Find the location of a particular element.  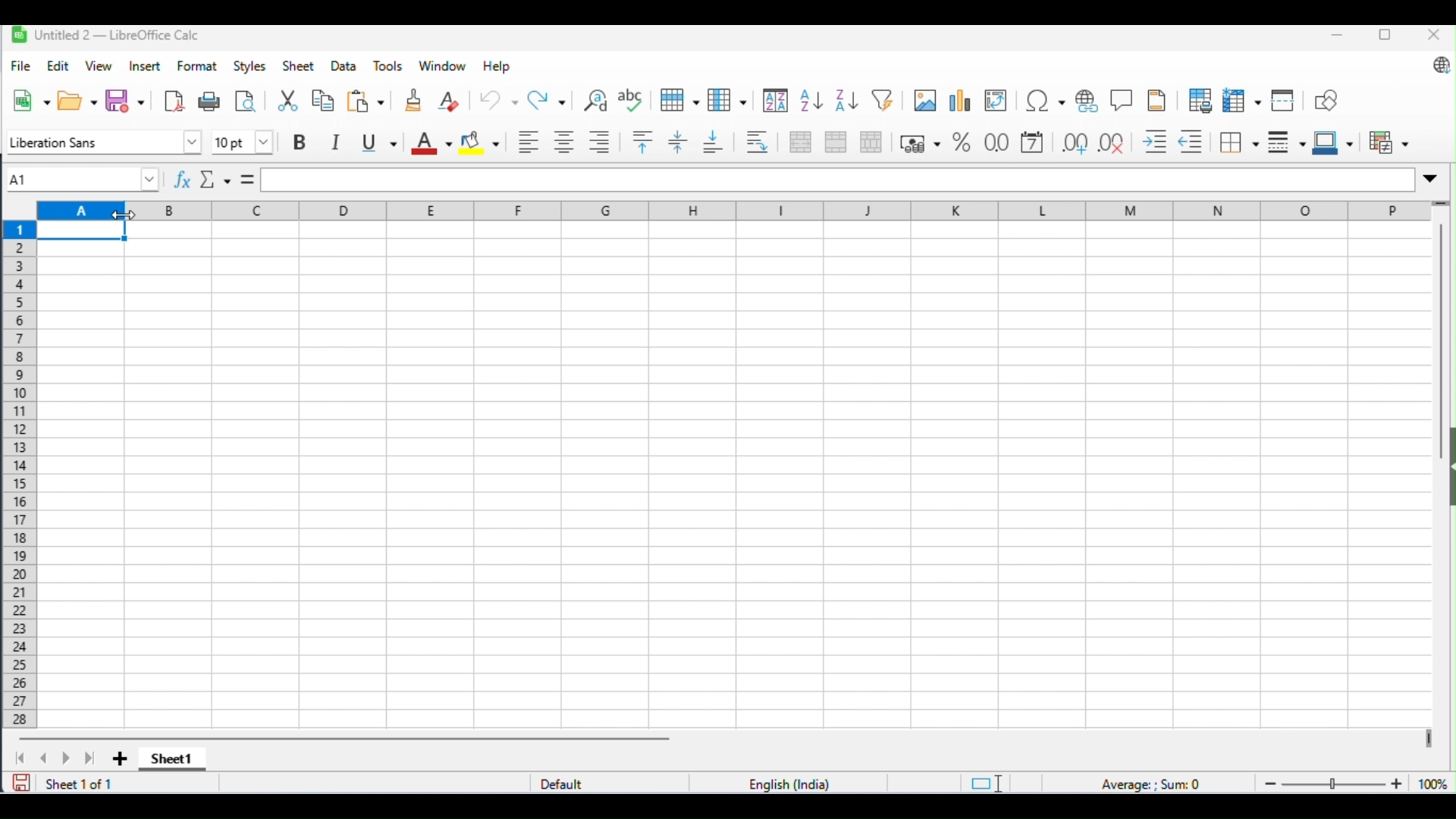

insert hyperlink is located at coordinates (1122, 99).